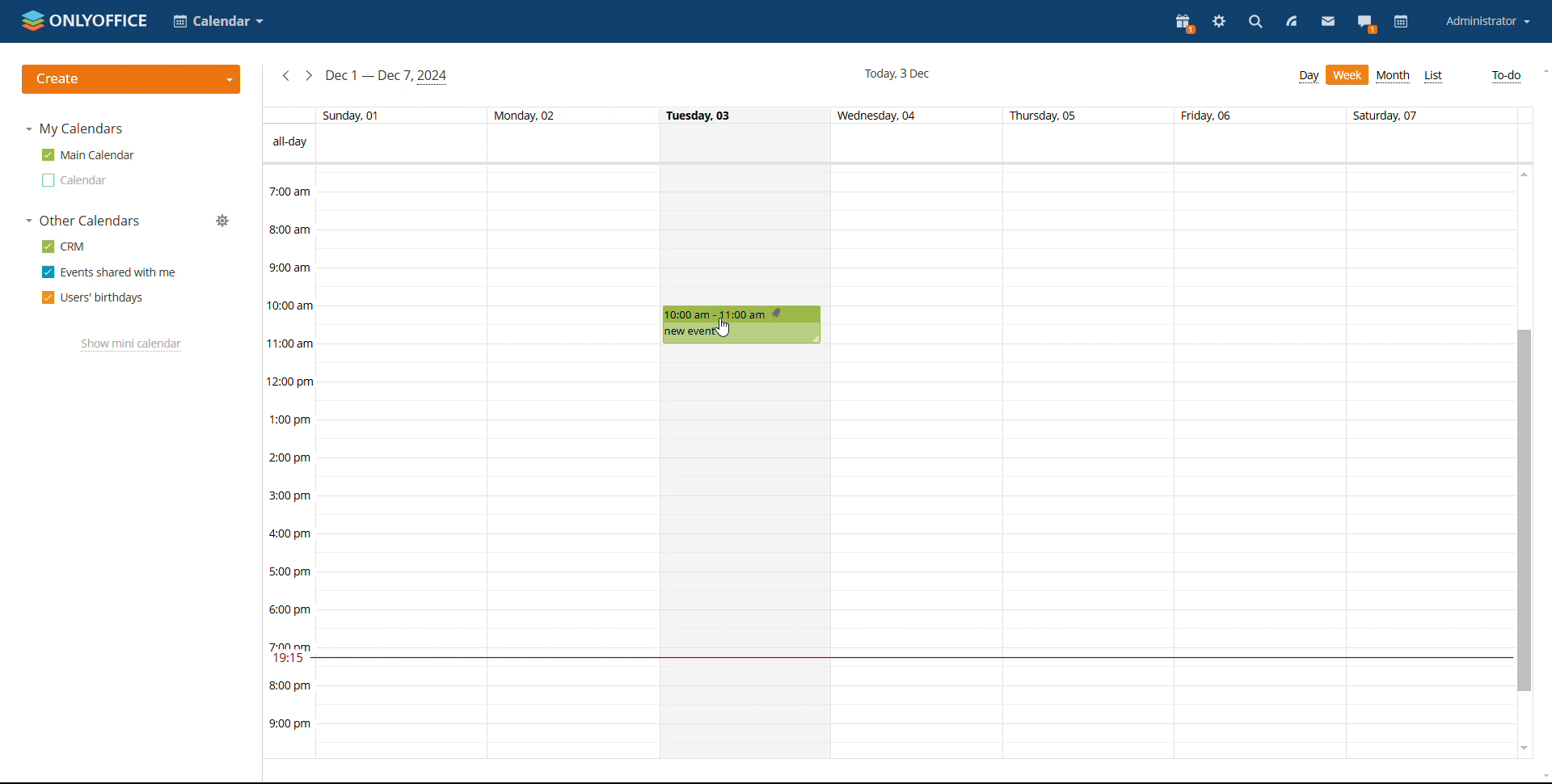  I want to click on cursor, so click(725, 327).